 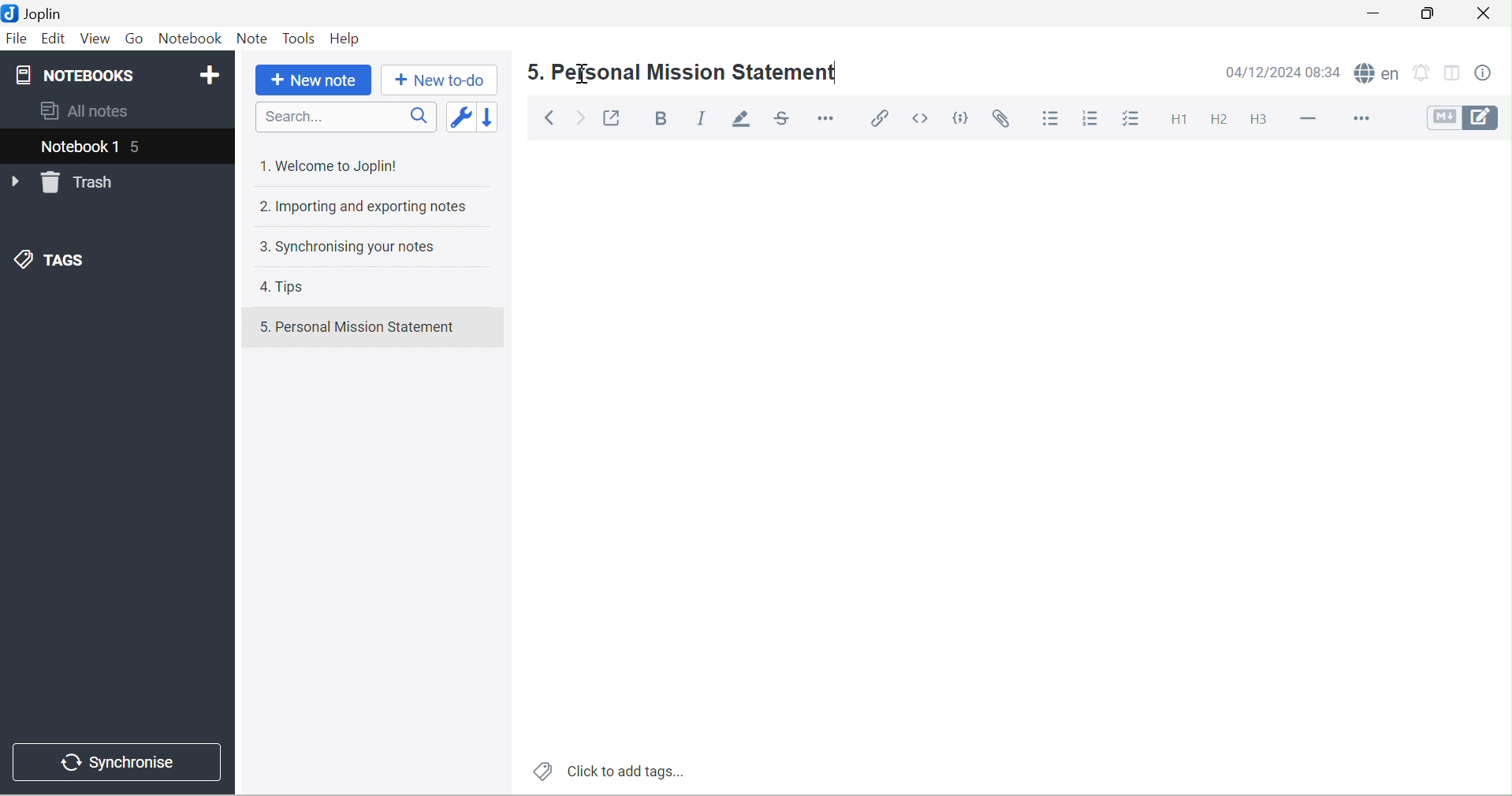 What do you see at coordinates (744, 120) in the screenshot?
I see `Highlight` at bounding box center [744, 120].